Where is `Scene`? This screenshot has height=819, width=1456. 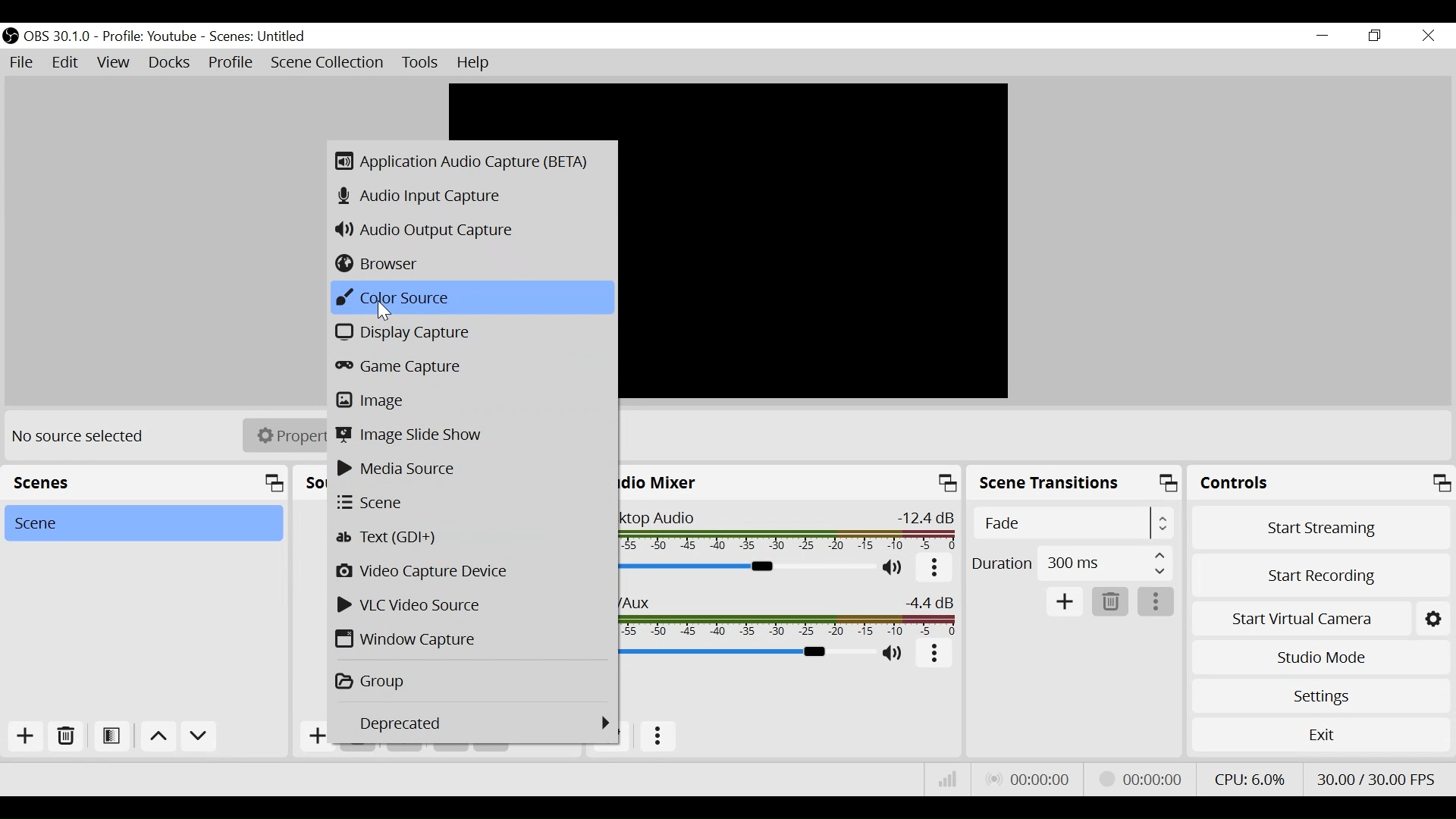
Scene is located at coordinates (142, 523).